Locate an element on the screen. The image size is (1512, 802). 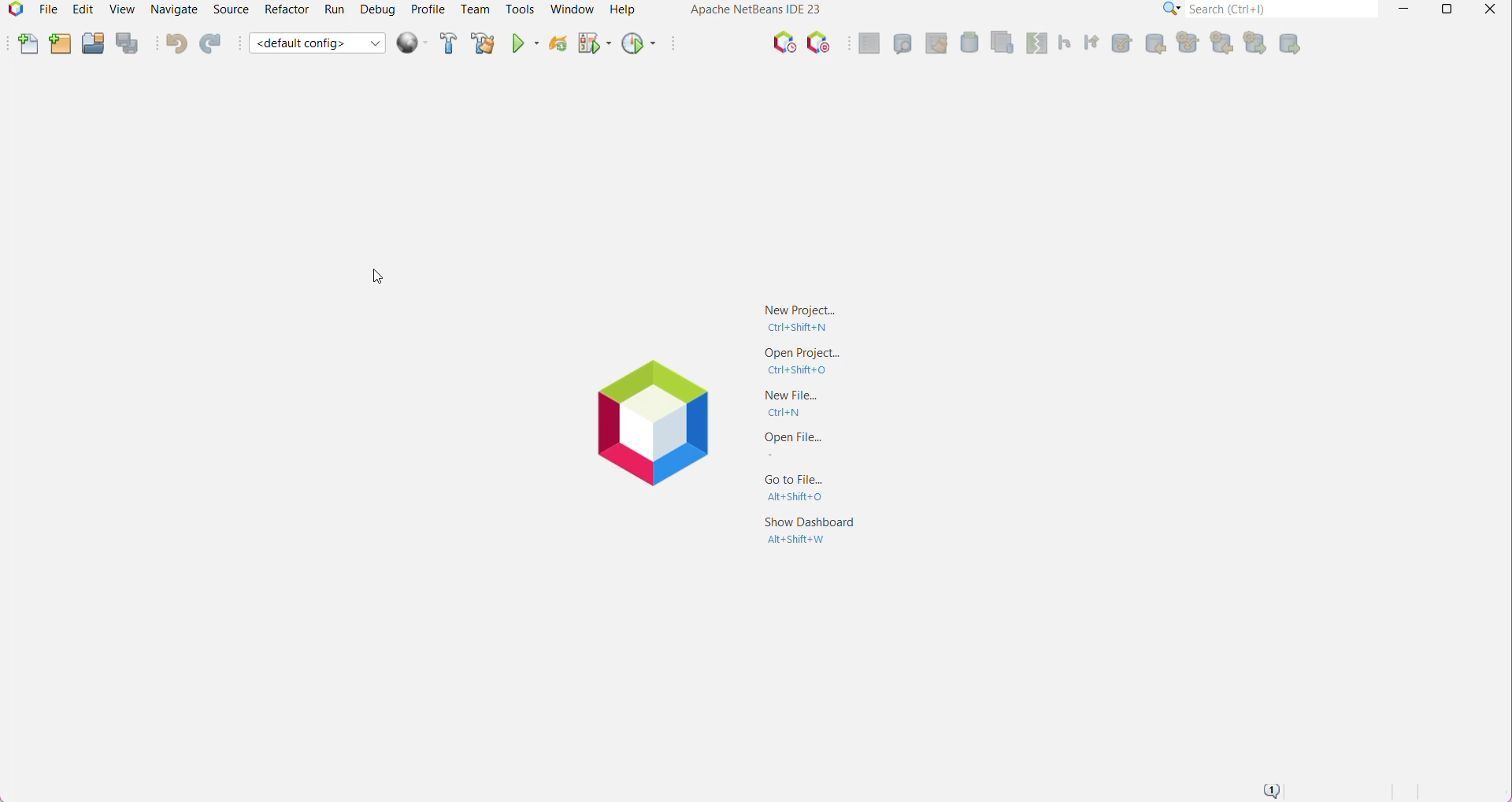
Show Changes is located at coordinates (999, 41).